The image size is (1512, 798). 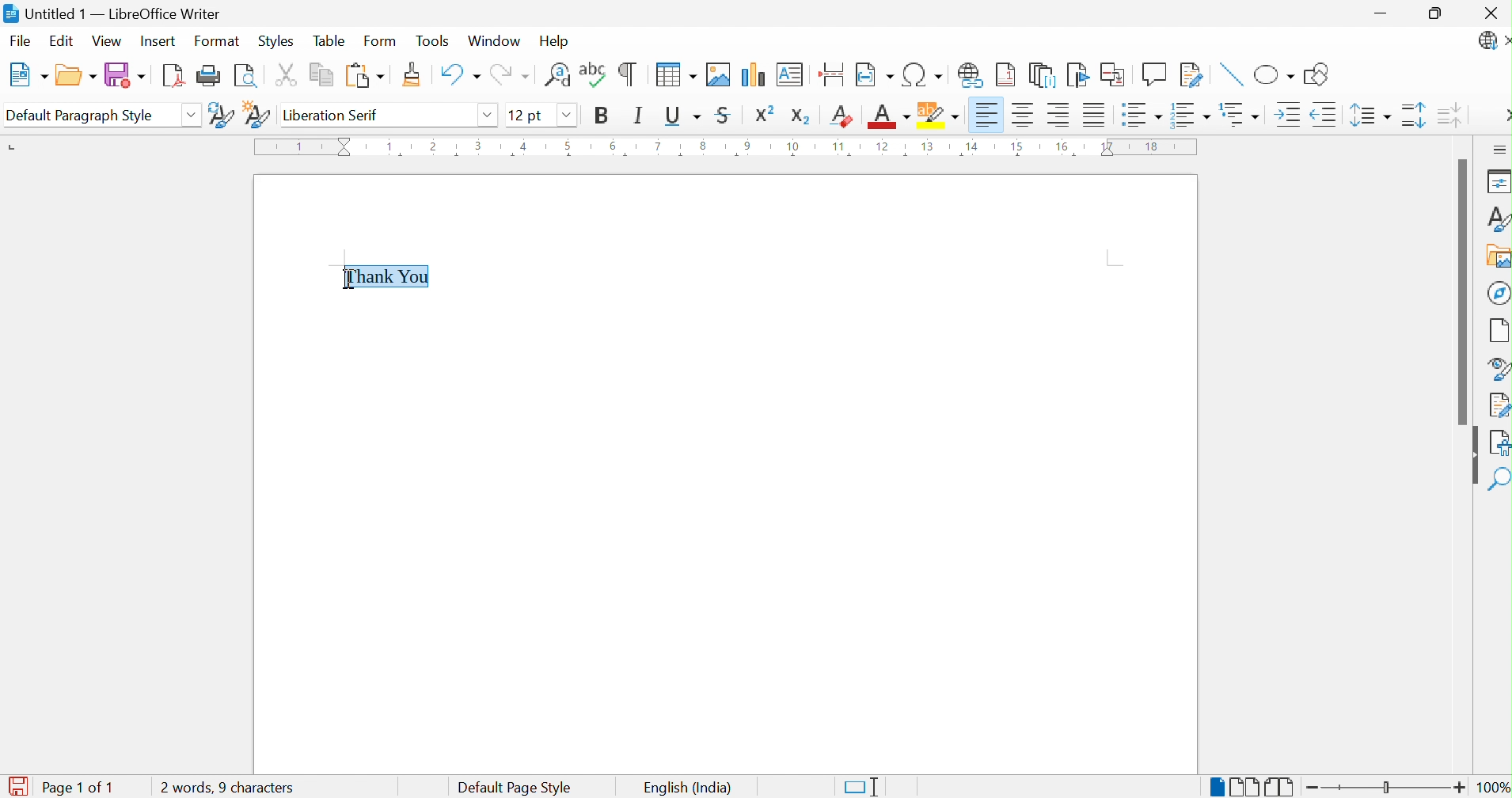 I want to click on Multiple-page View, so click(x=1244, y=785).